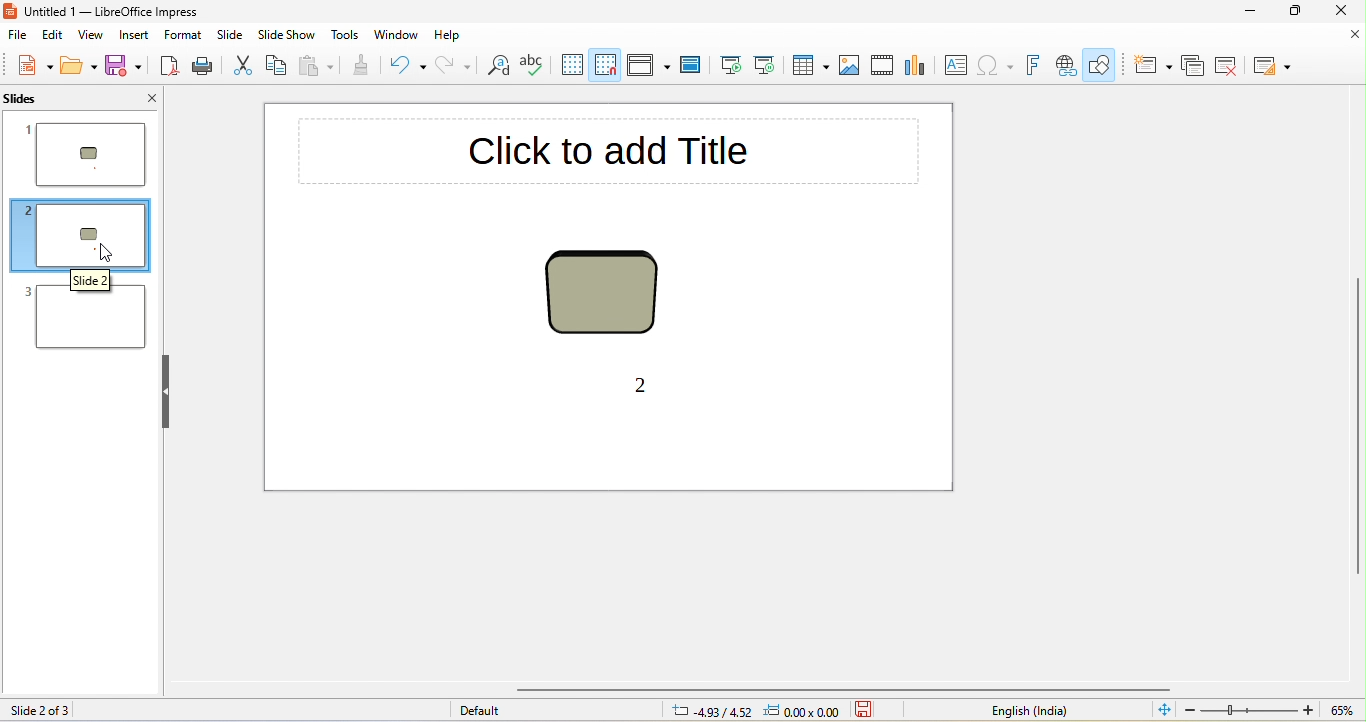 The image size is (1366, 722). I want to click on slides, so click(44, 98).